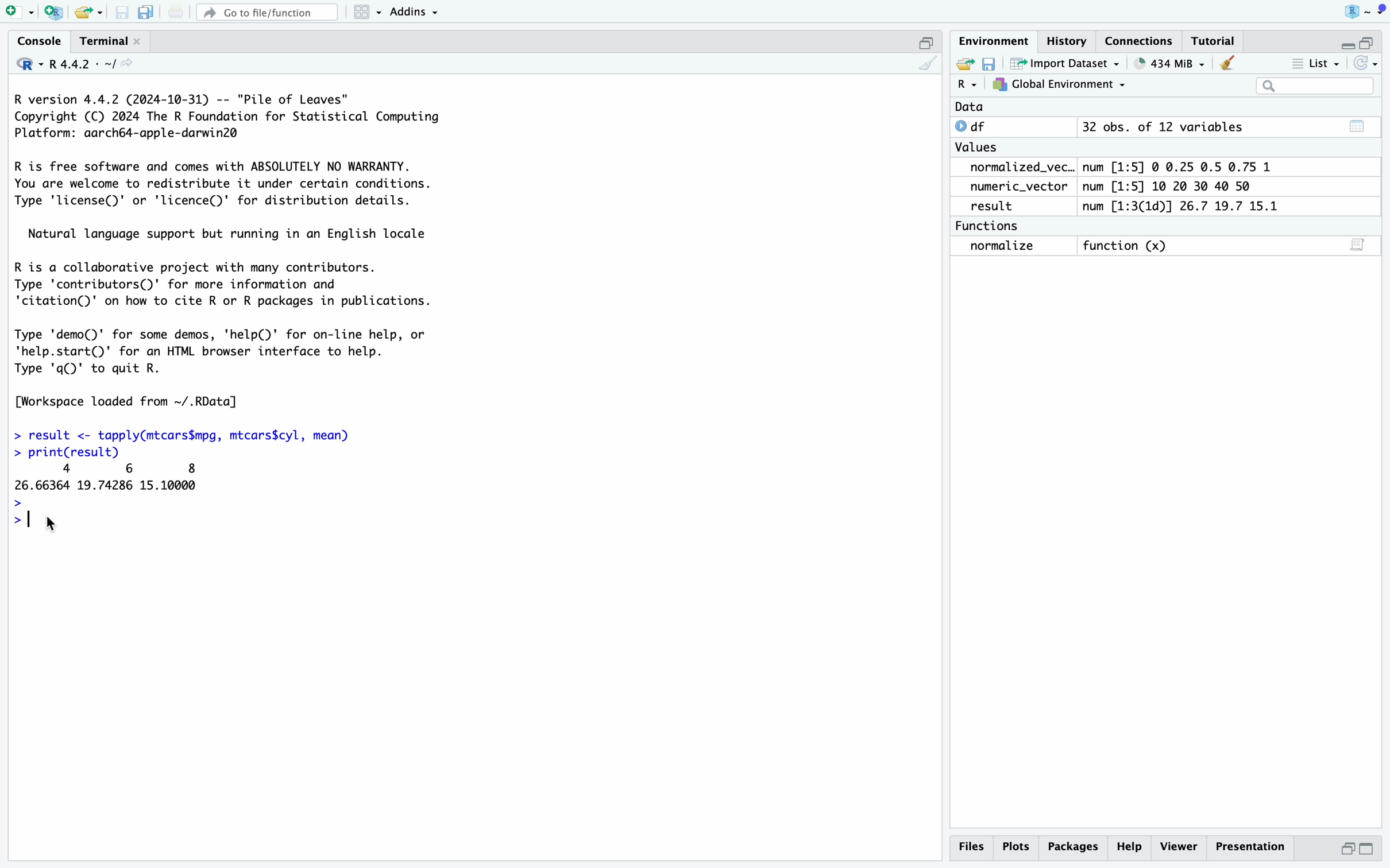  Describe the element at coordinates (1317, 63) in the screenshot. I see `List` at that location.